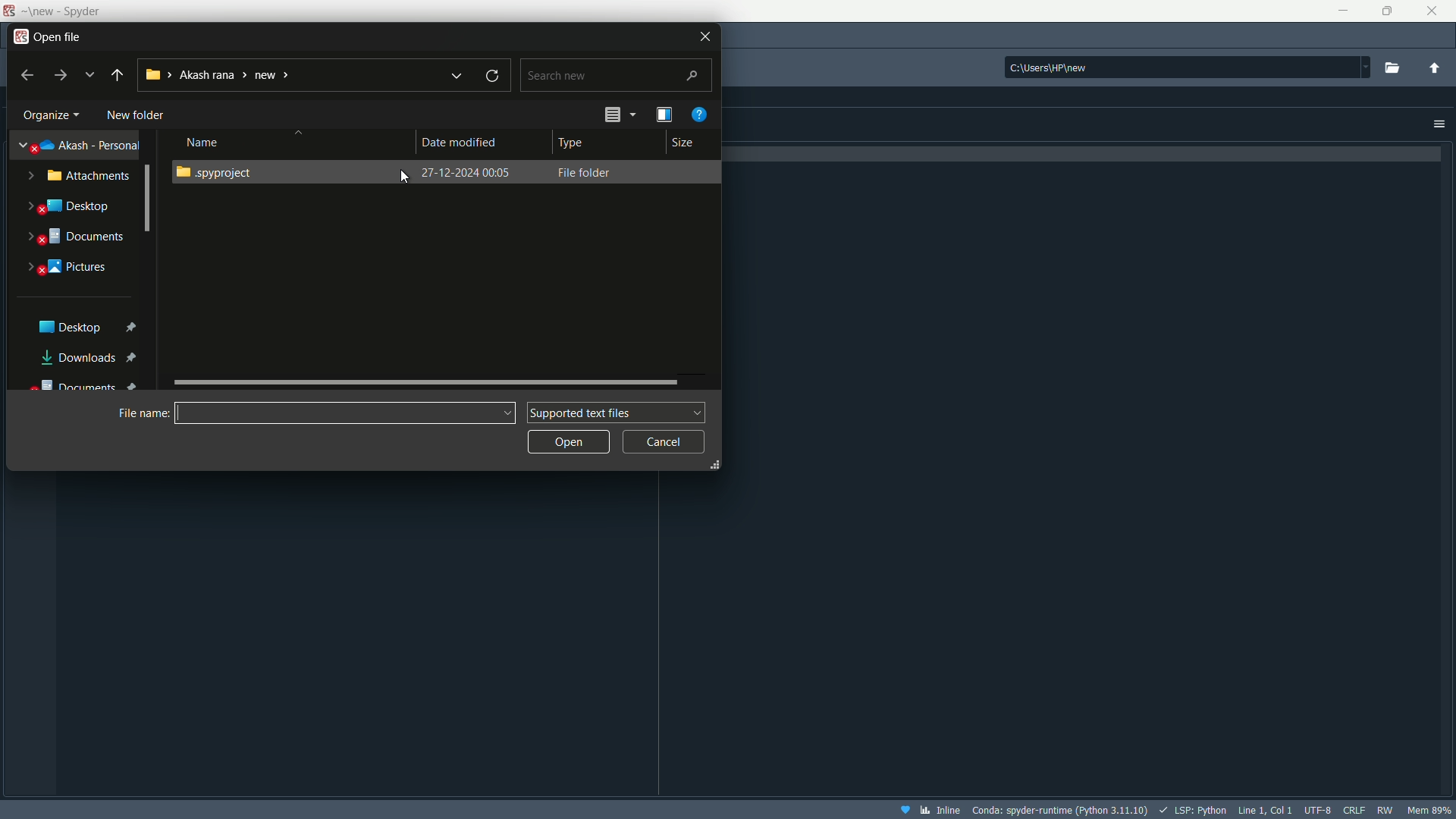  What do you see at coordinates (1265, 809) in the screenshot?
I see `cursor position` at bounding box center [1265, 809].